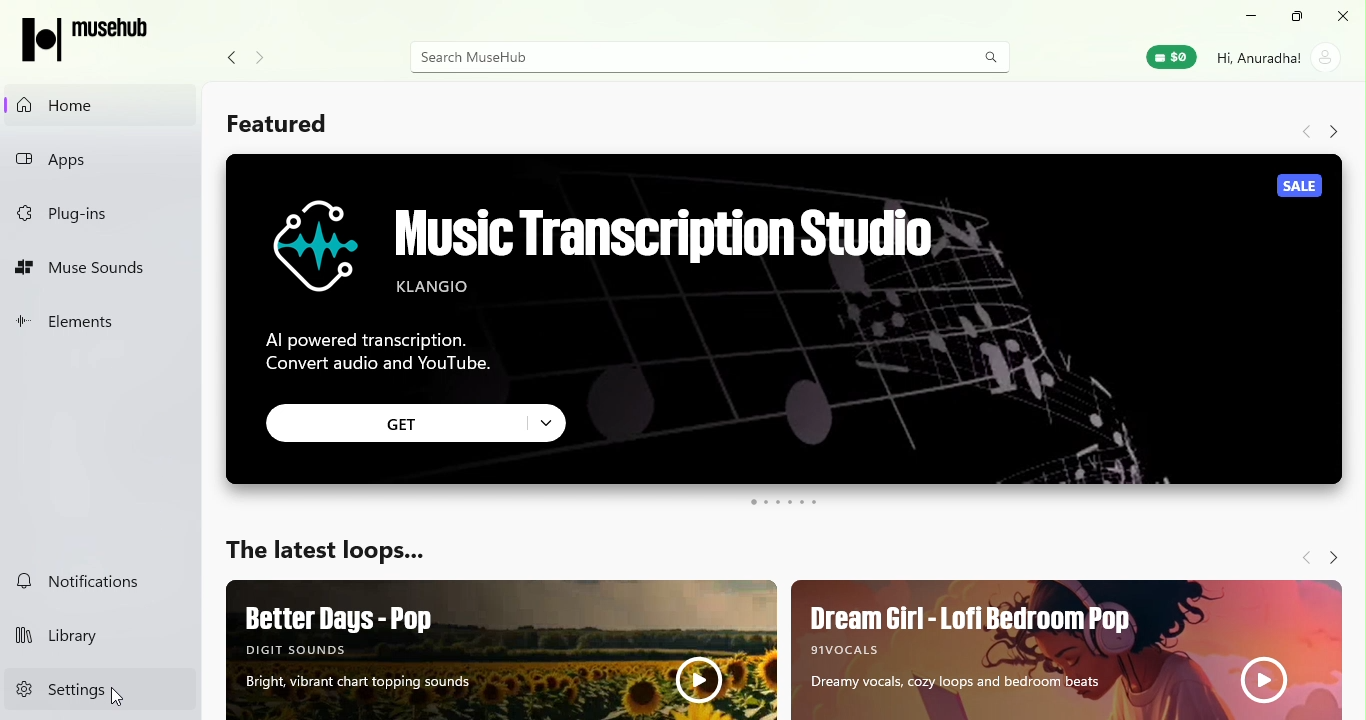  Describe the element at coordinates (1259, 58) in the screenshot. I see `Hi, Anuradha!` at that location.